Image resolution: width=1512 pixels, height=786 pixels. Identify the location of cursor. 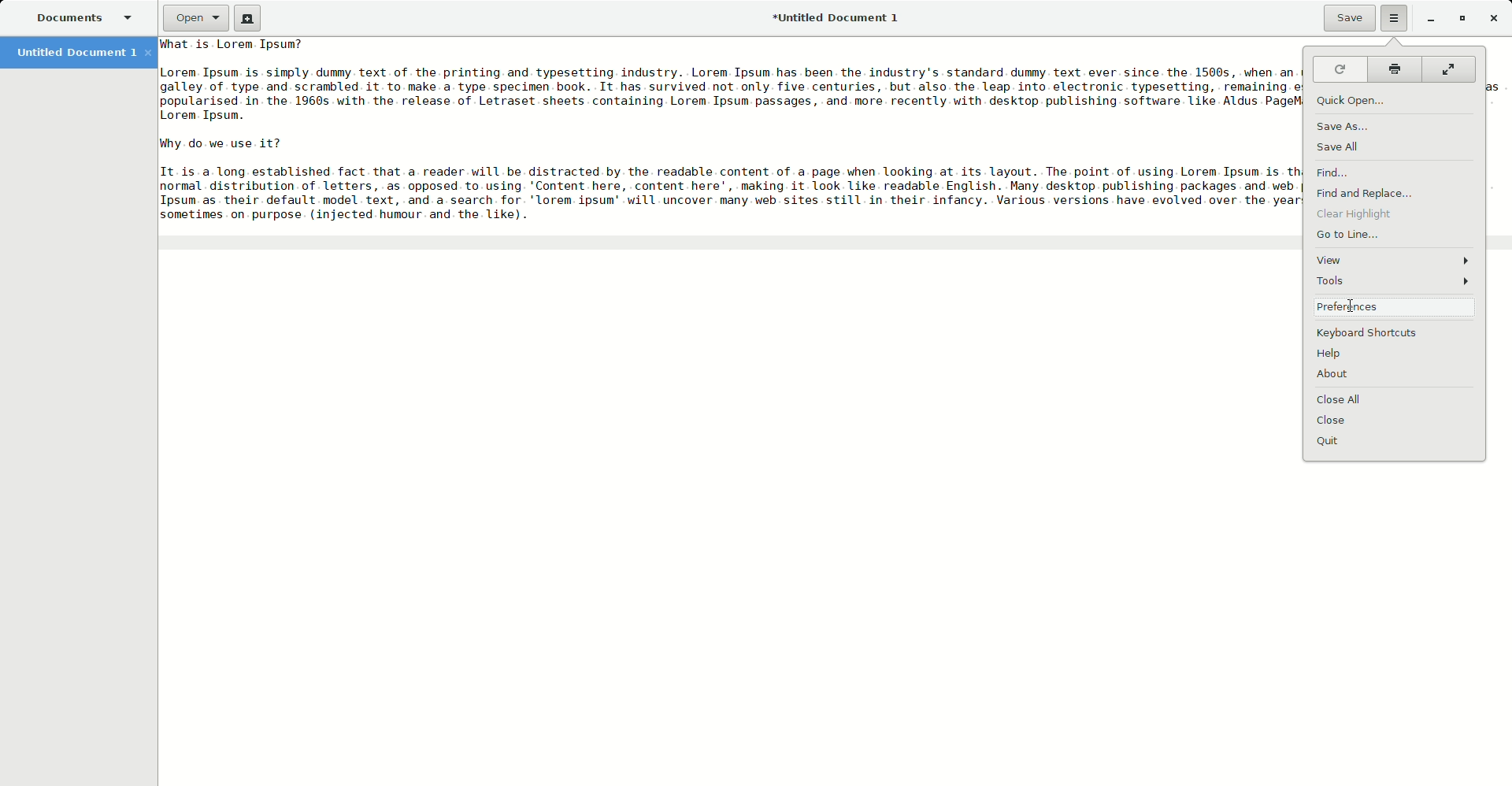
(1350, 308).